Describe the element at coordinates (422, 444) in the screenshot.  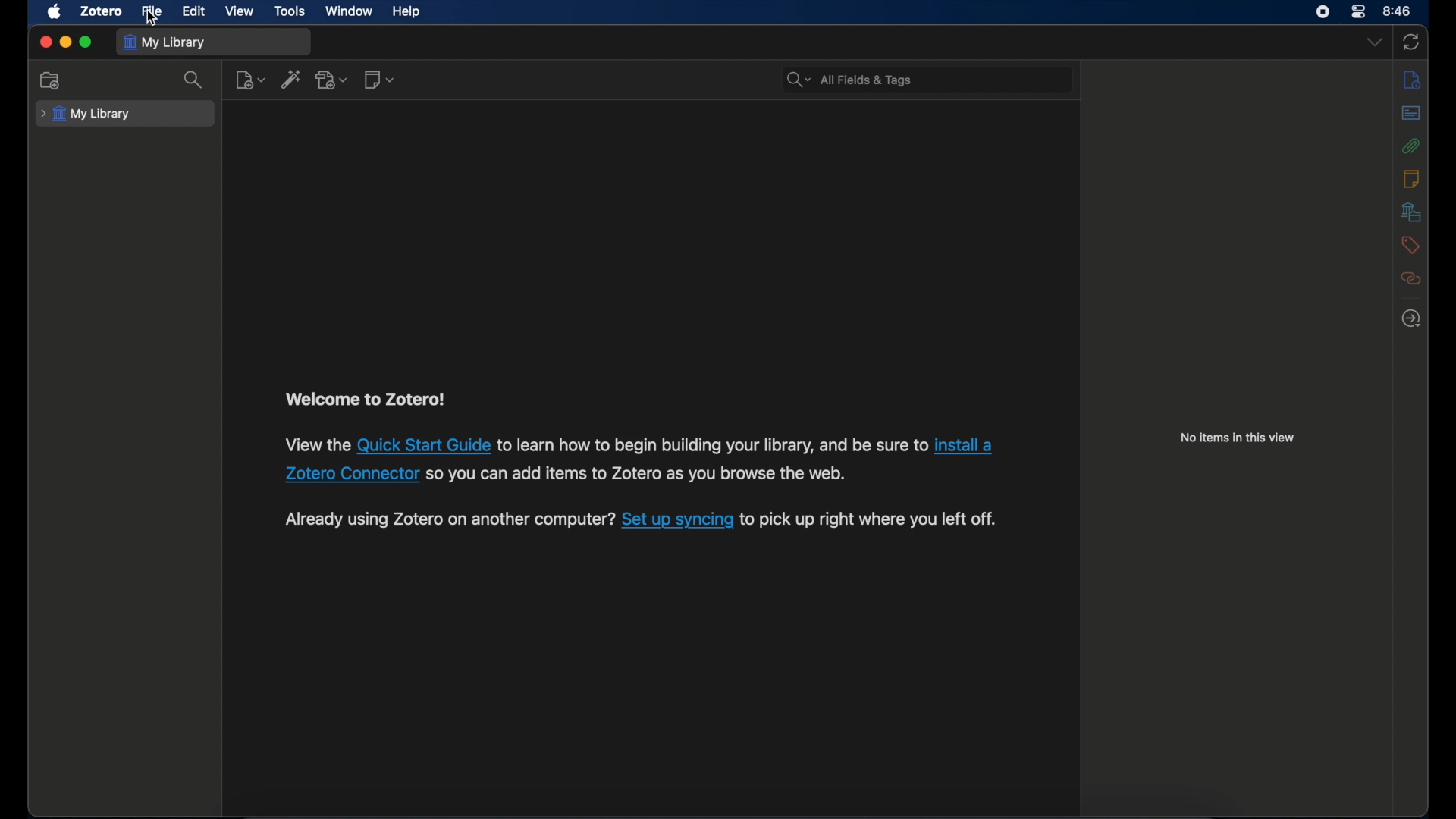
I see `quick start guide link` at that location.